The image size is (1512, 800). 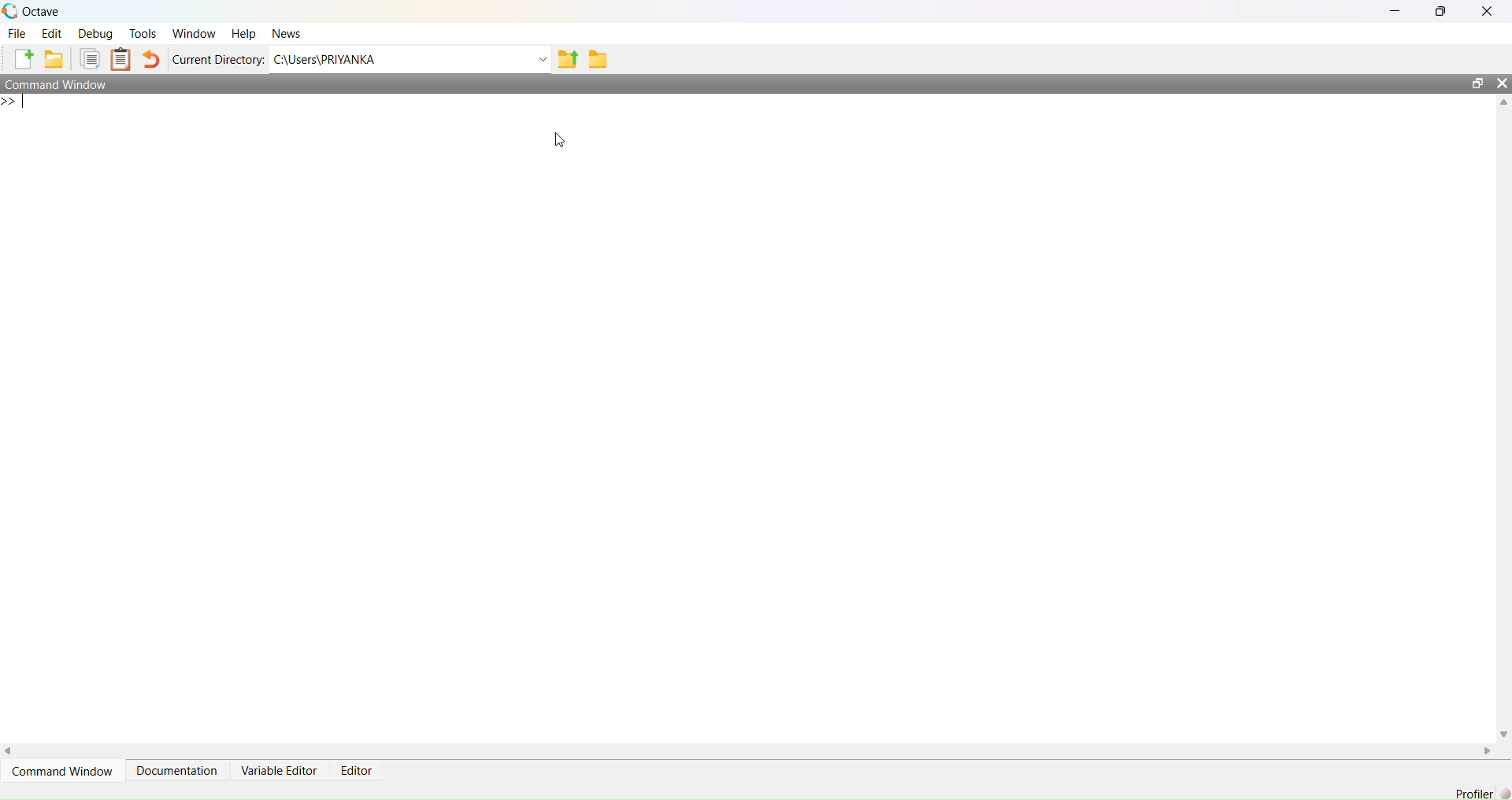 I want to click on Debug, so click(x=95, y=33).